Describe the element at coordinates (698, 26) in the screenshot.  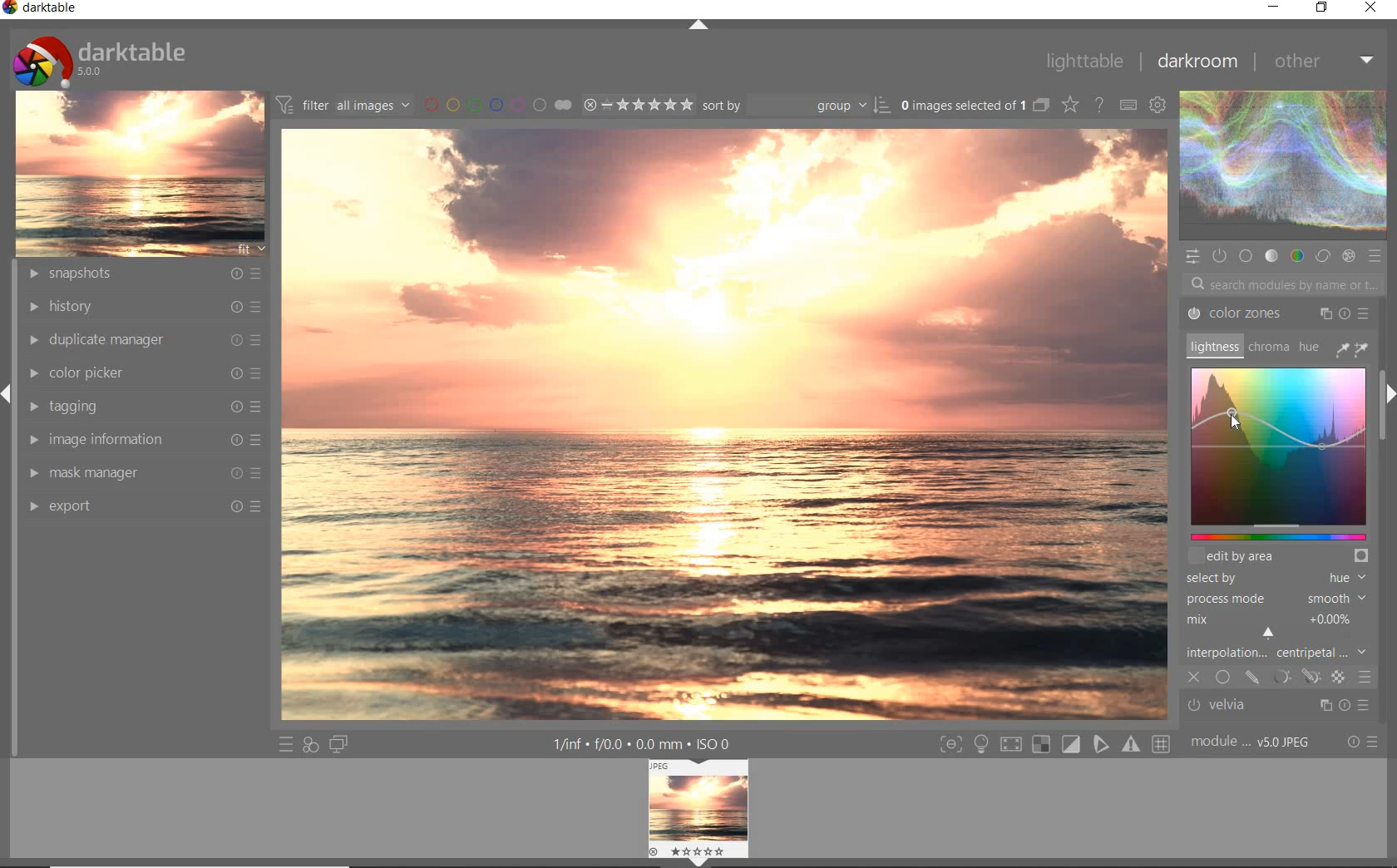
I see `EXPAND/COLLAPSE` at that location.